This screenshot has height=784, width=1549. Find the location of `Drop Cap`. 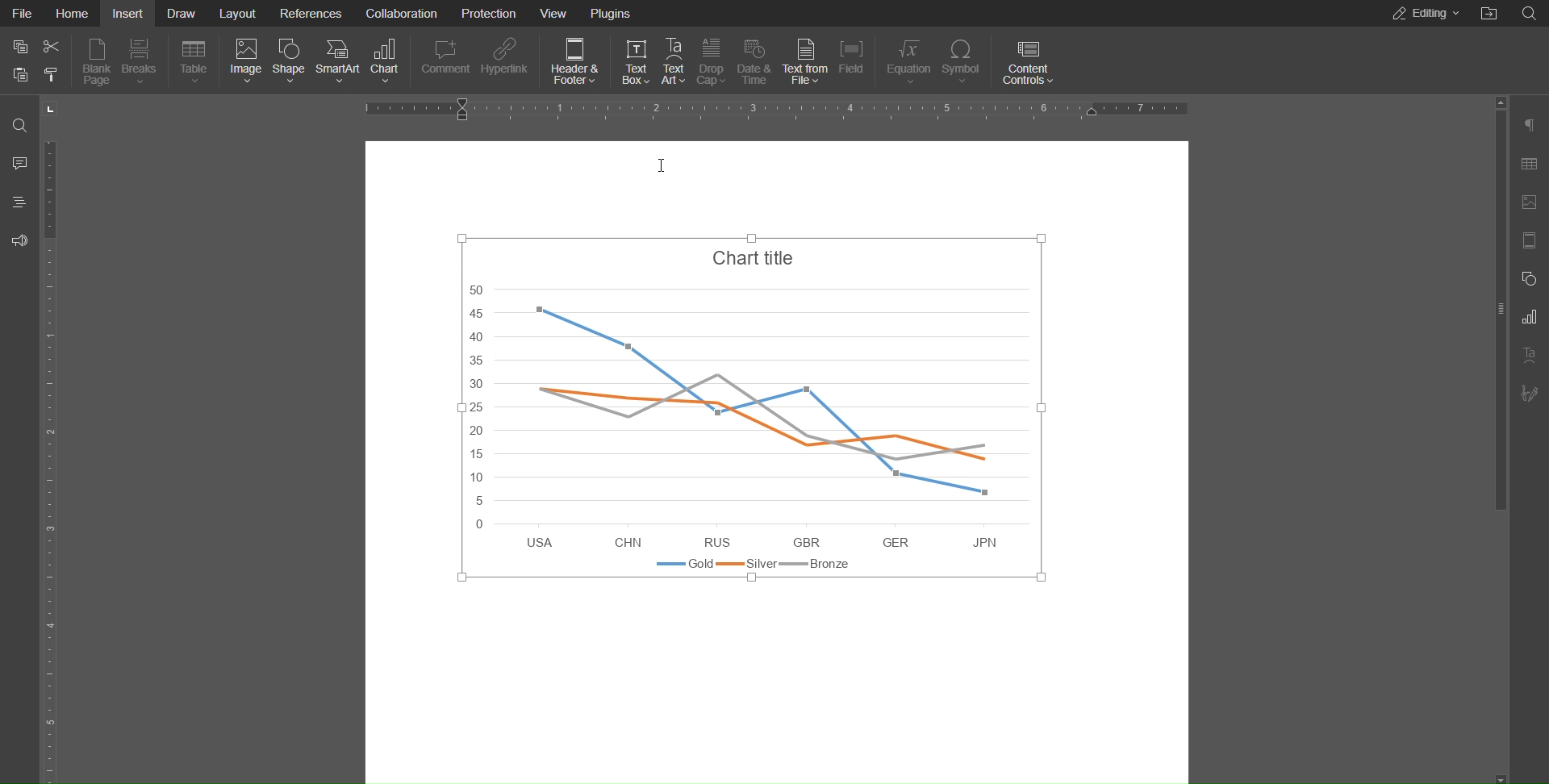

Drop Cap is located at coordinates (713, 59).